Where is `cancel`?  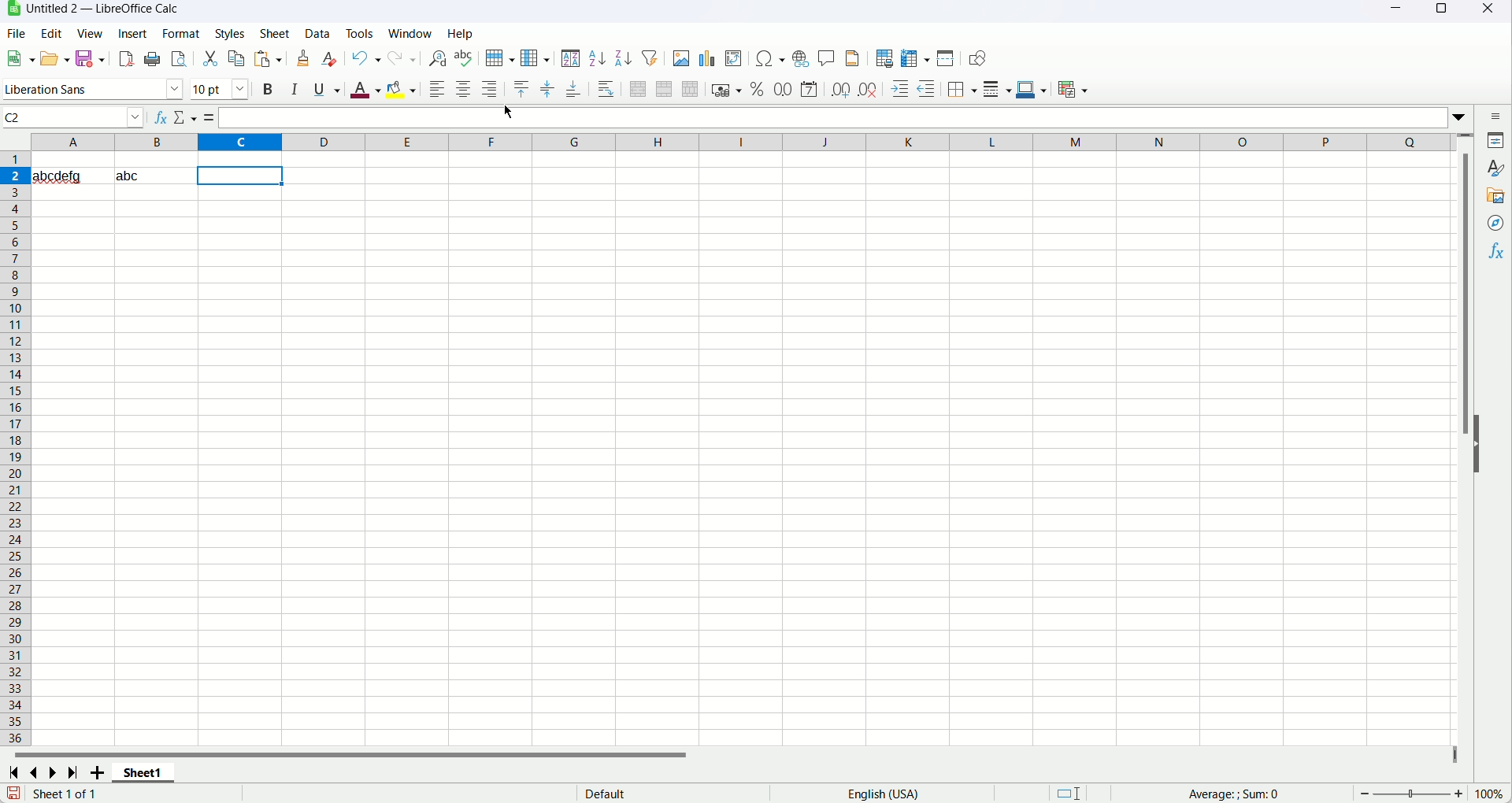 cancel is located at coordinates (181, 117).